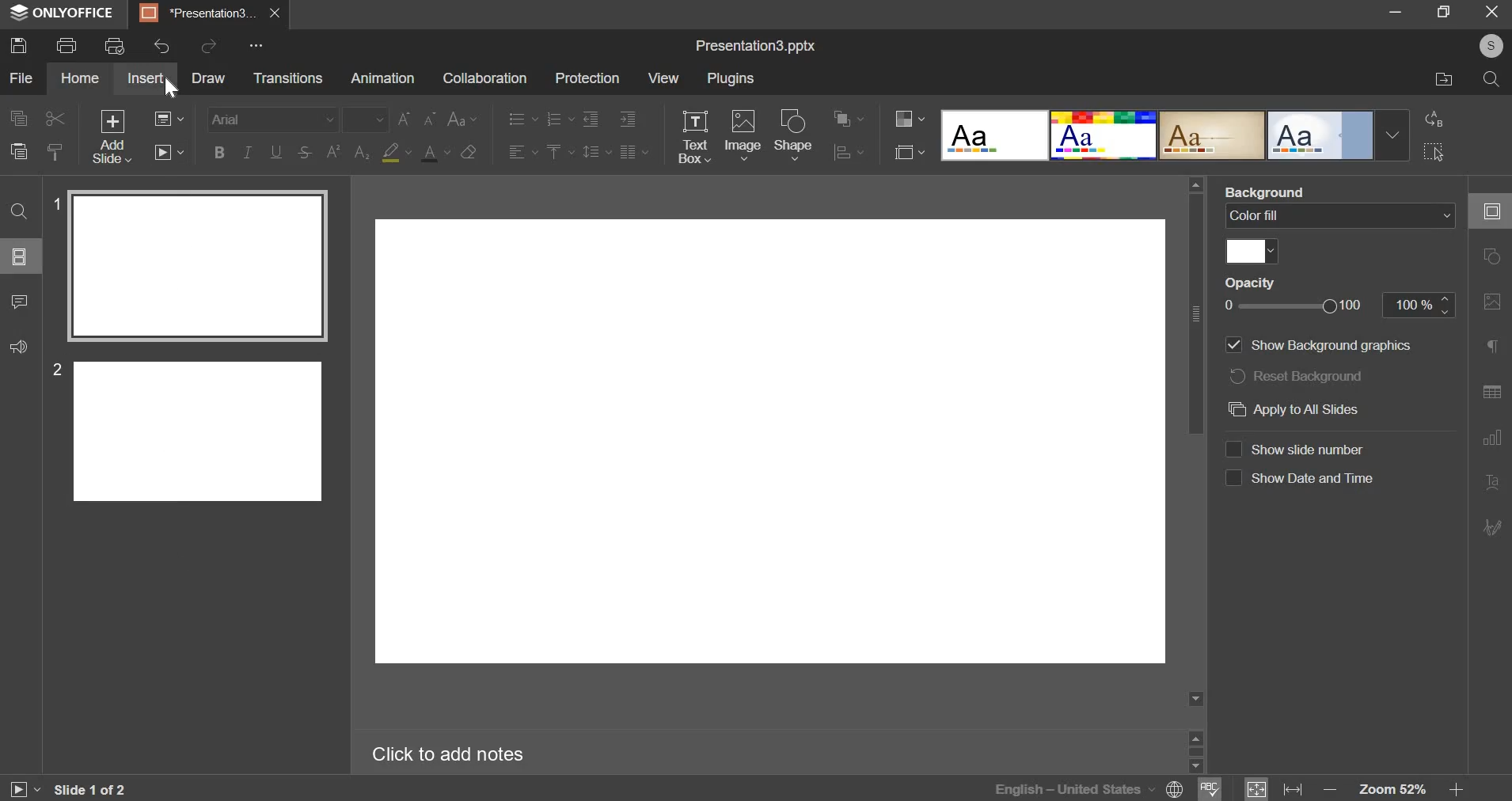 The image size is (1512, 801). I want to click on active slide out of total slides, so click(90, 789).